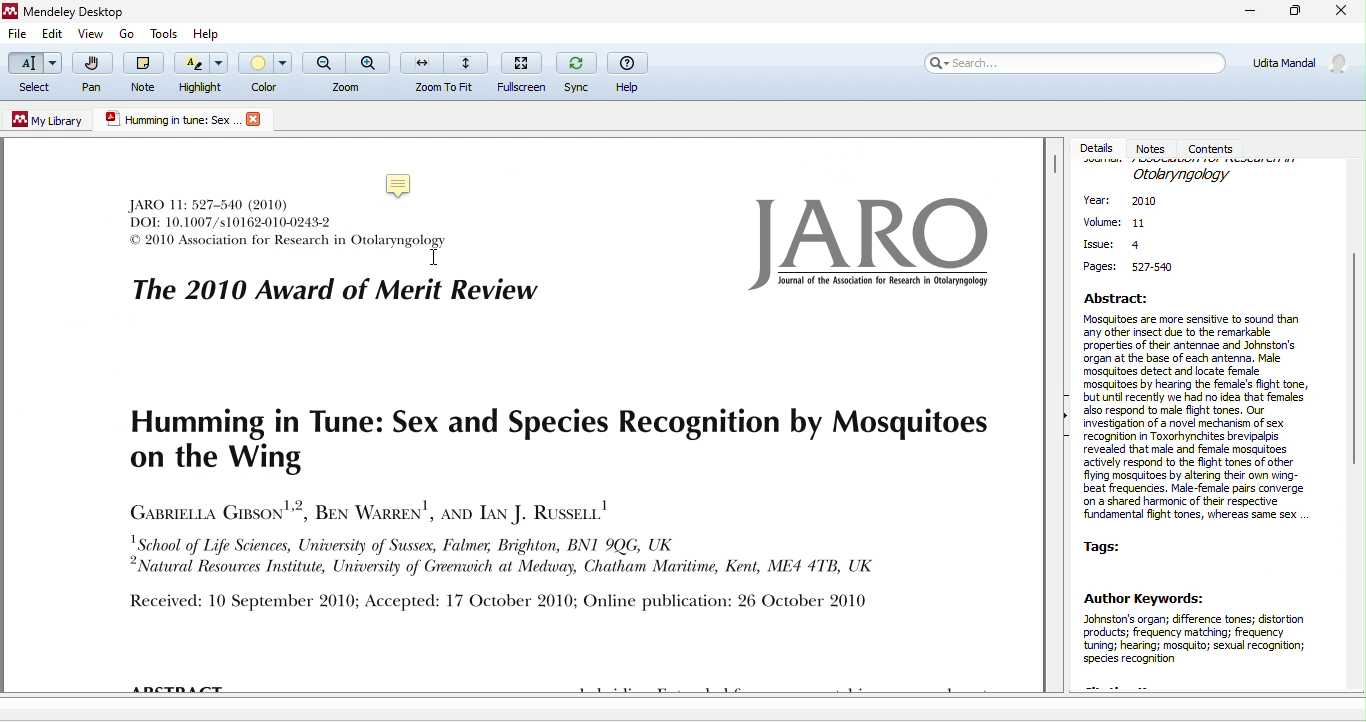 This screenshot has width=1366, height=722. Describe the element at coordinates (1353, 354) in the screenshot. I see `vertical scroll bar` at that location.